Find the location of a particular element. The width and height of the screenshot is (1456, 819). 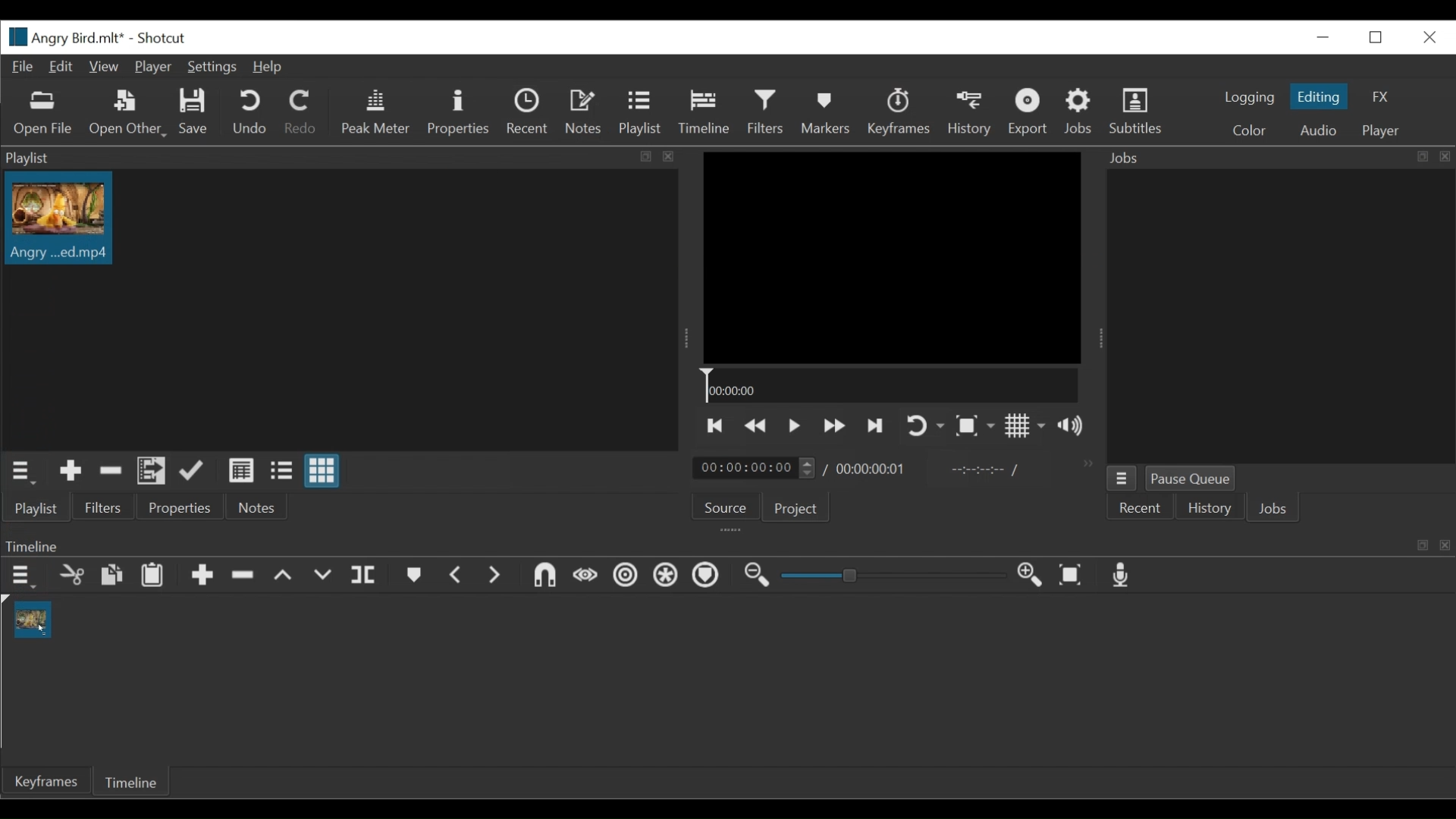

View as detail is located at coordinates (242, 472).